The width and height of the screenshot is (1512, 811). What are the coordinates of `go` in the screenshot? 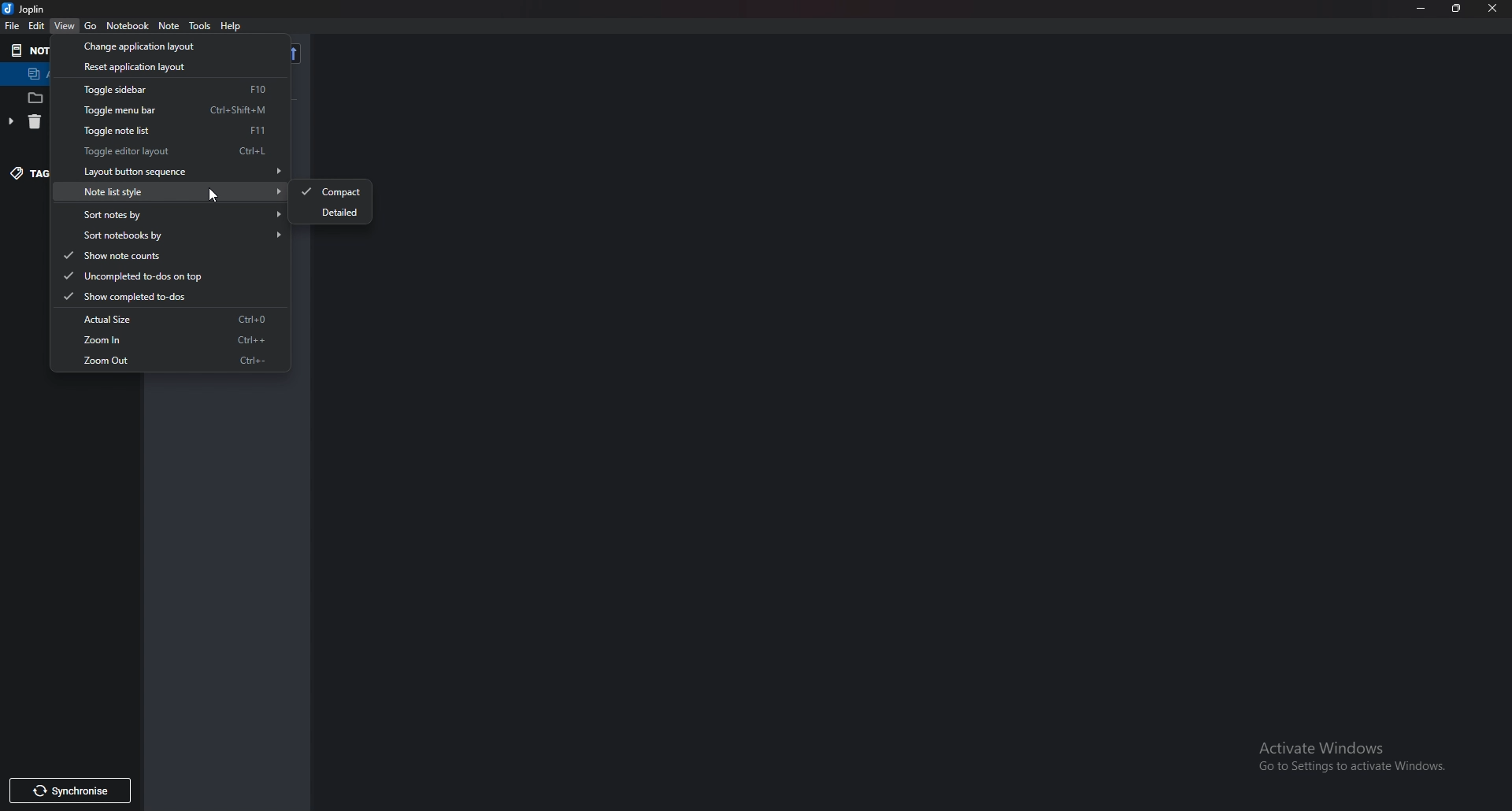 It's located at (91, 25).